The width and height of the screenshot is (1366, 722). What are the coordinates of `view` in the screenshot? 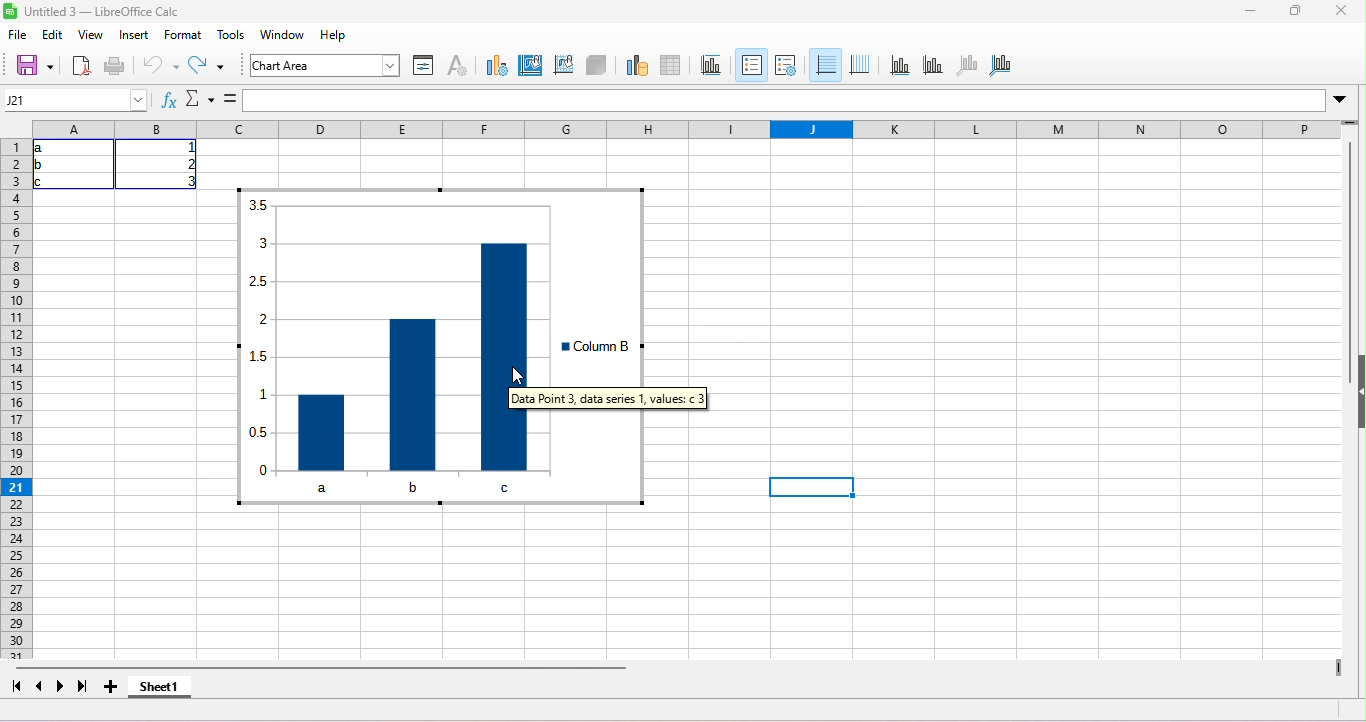 It's located at (94, 34).